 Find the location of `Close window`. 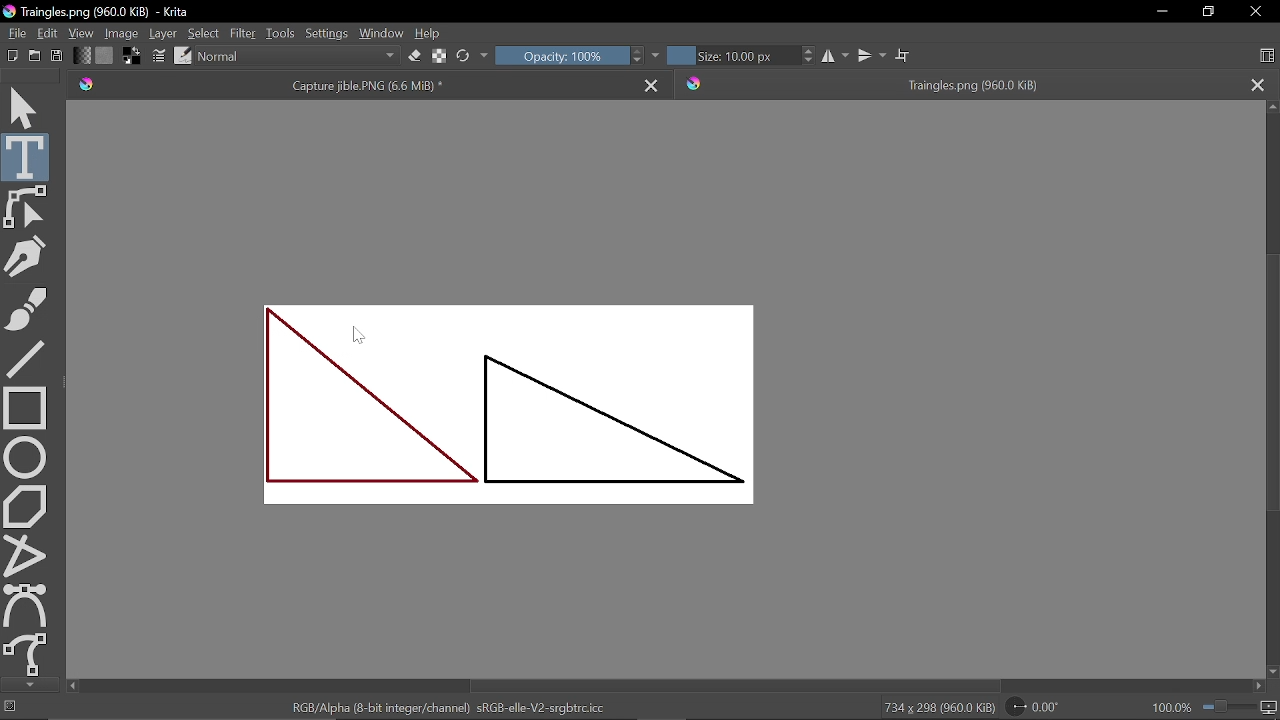

Close window is located at coordinates (1254, 12).